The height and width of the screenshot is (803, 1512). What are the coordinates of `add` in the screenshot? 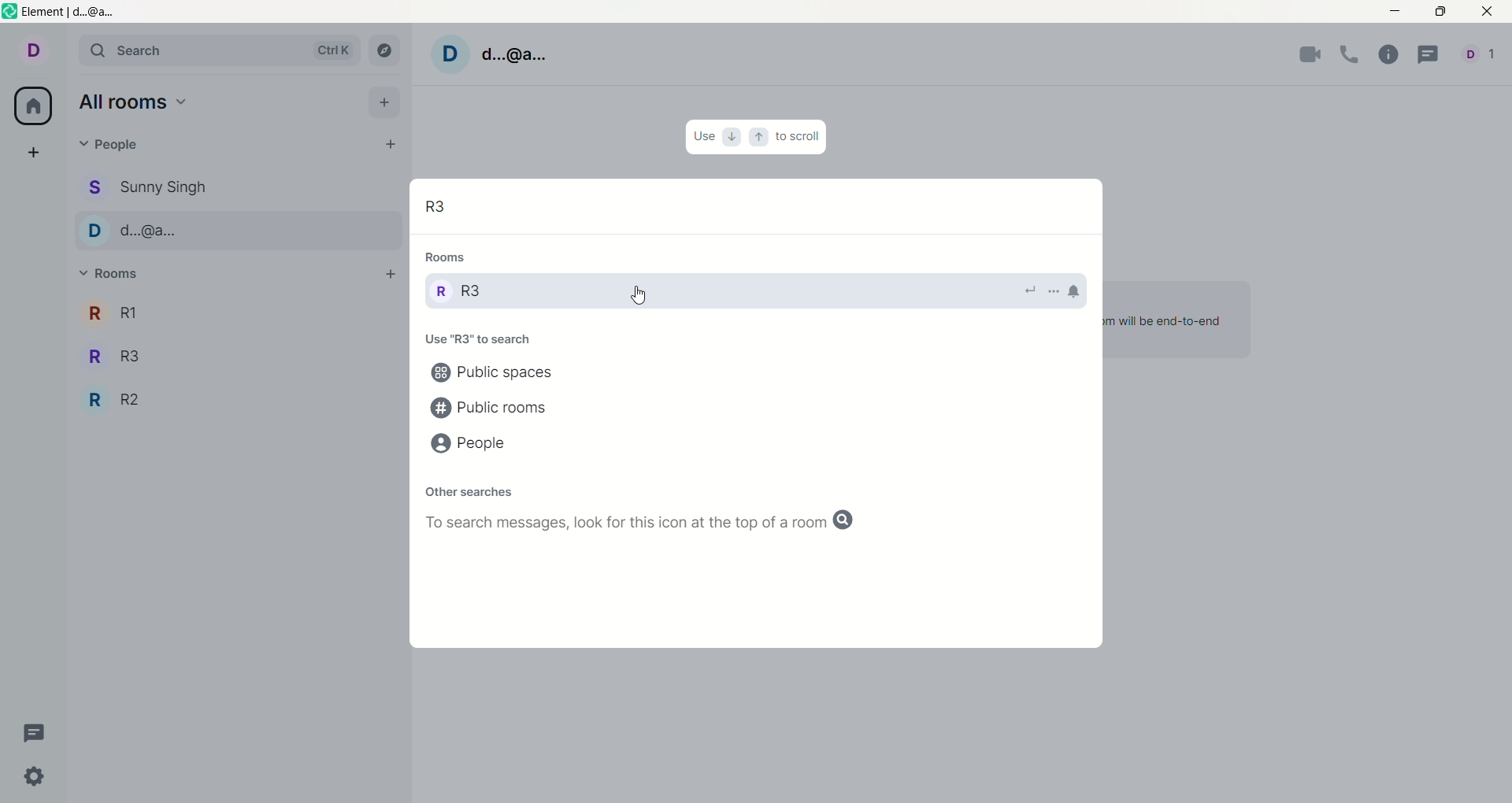 It's located at (384, 101).